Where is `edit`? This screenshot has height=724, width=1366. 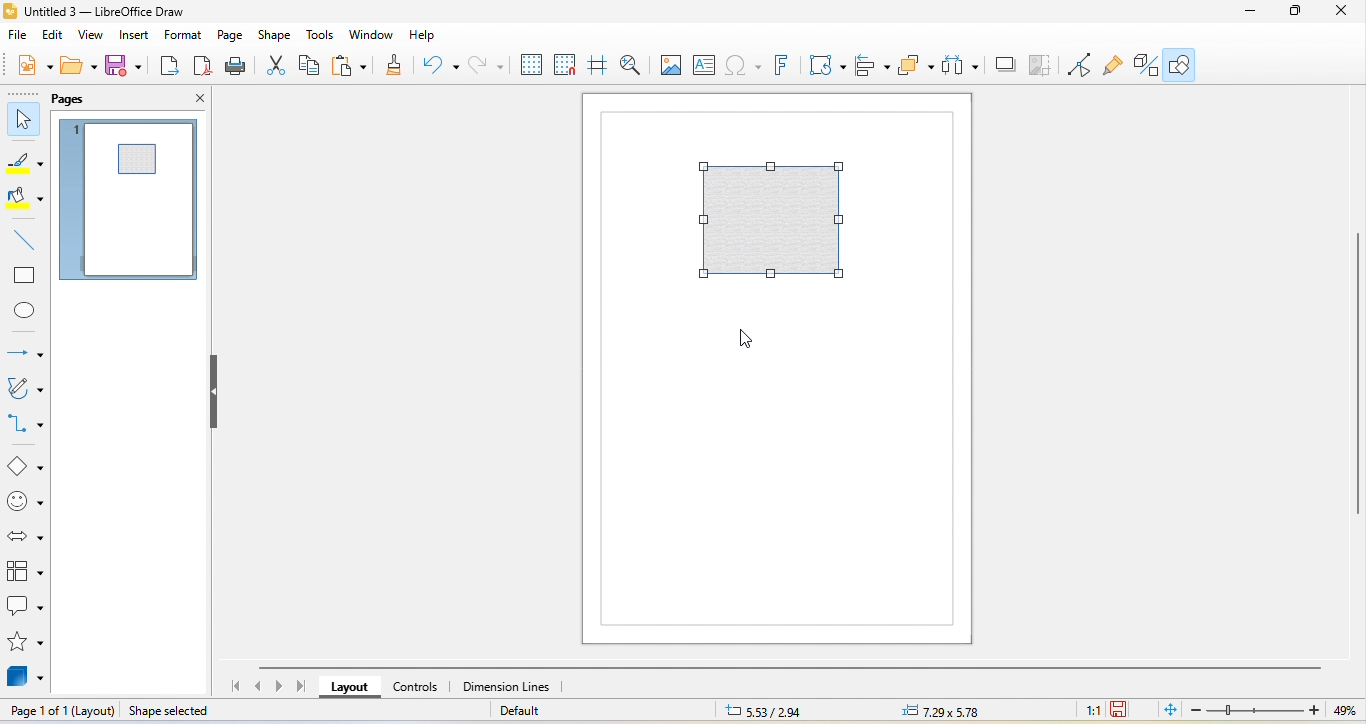
edit is located at coordinates (56, 36).